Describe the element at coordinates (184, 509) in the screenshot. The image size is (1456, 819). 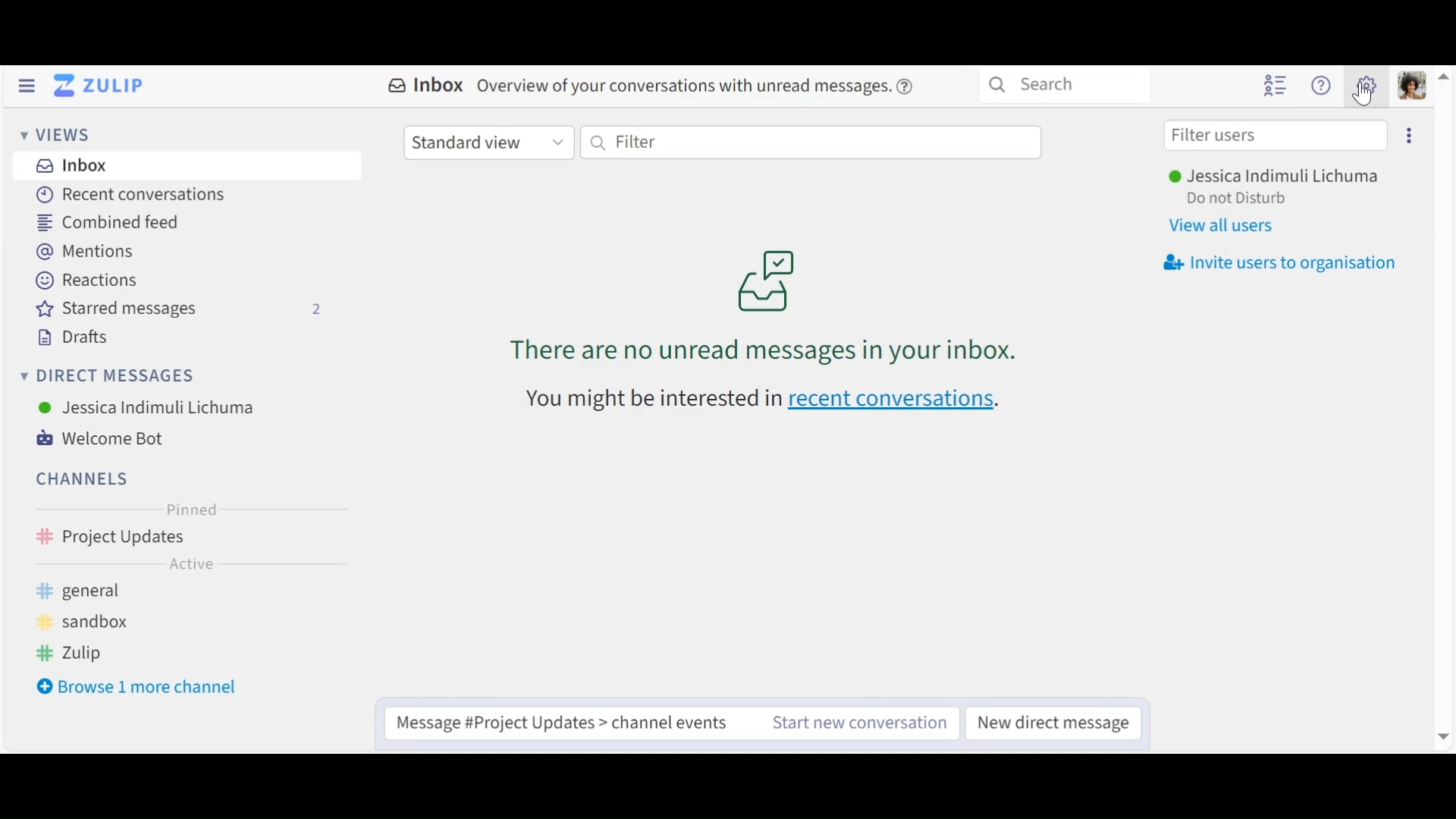
I see `Pinned` at that location.